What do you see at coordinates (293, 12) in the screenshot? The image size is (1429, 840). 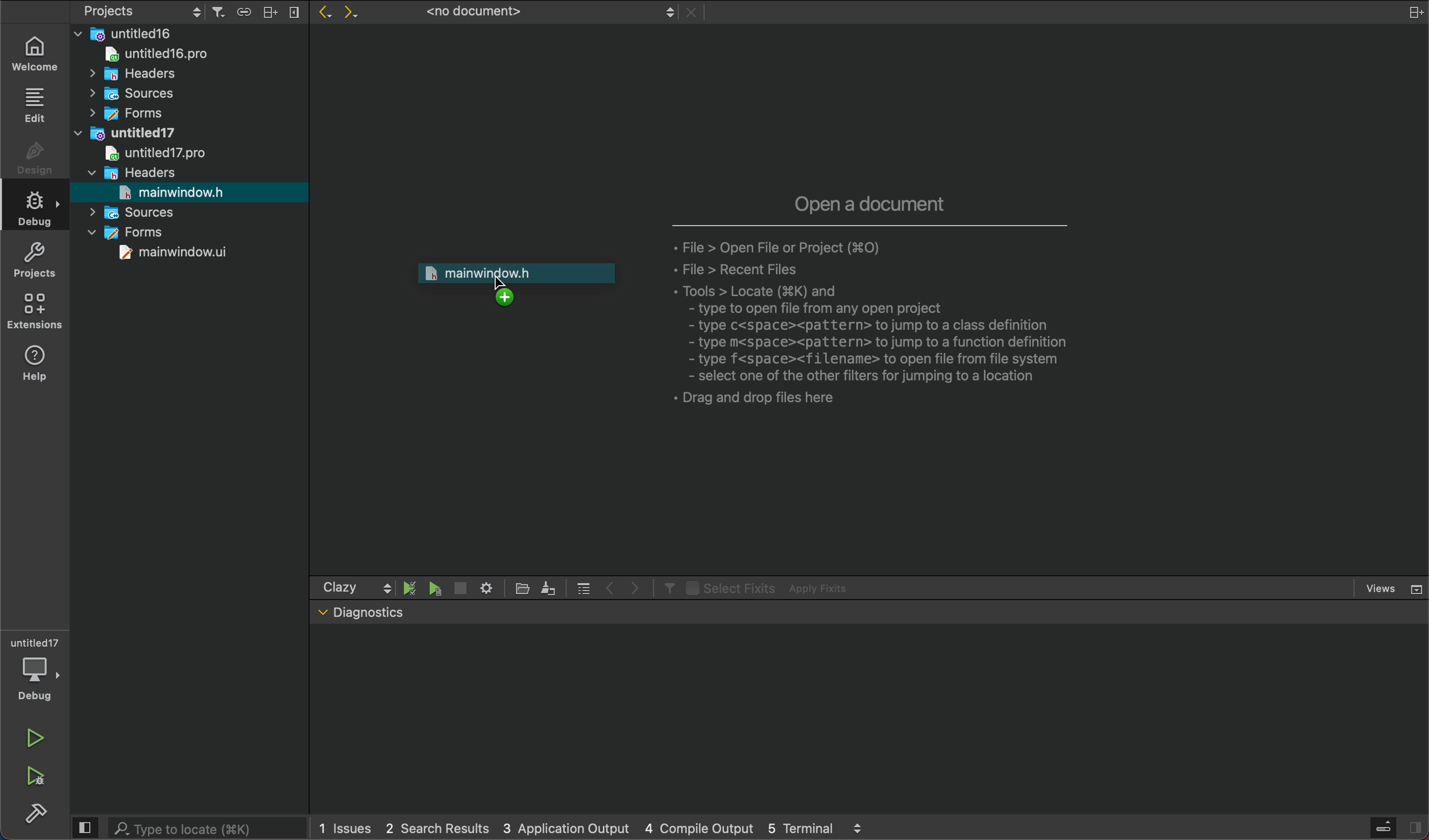 I see `Menu` at bounding box center [293, 12].